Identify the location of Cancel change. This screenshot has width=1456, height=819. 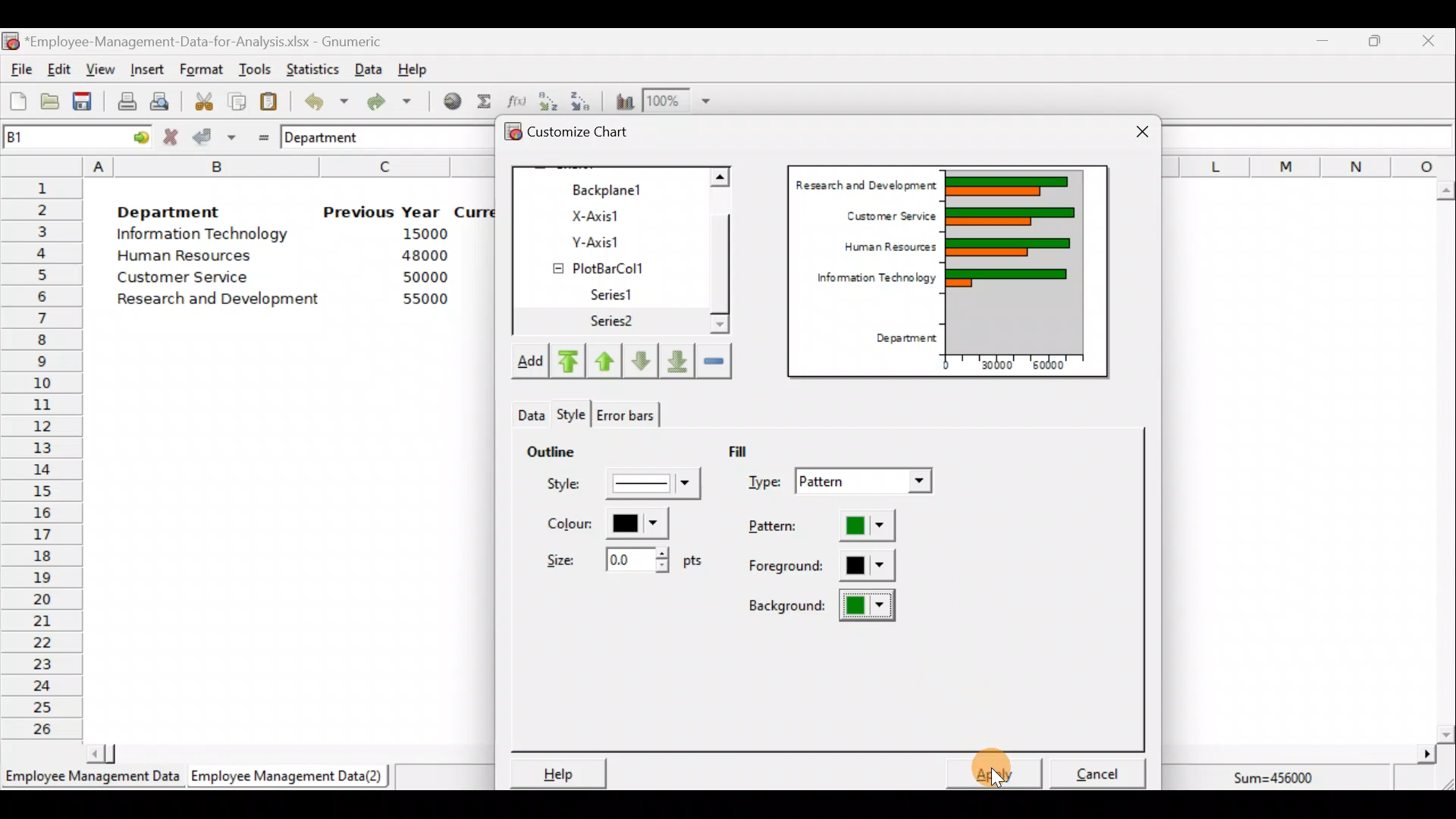
(173, 136).